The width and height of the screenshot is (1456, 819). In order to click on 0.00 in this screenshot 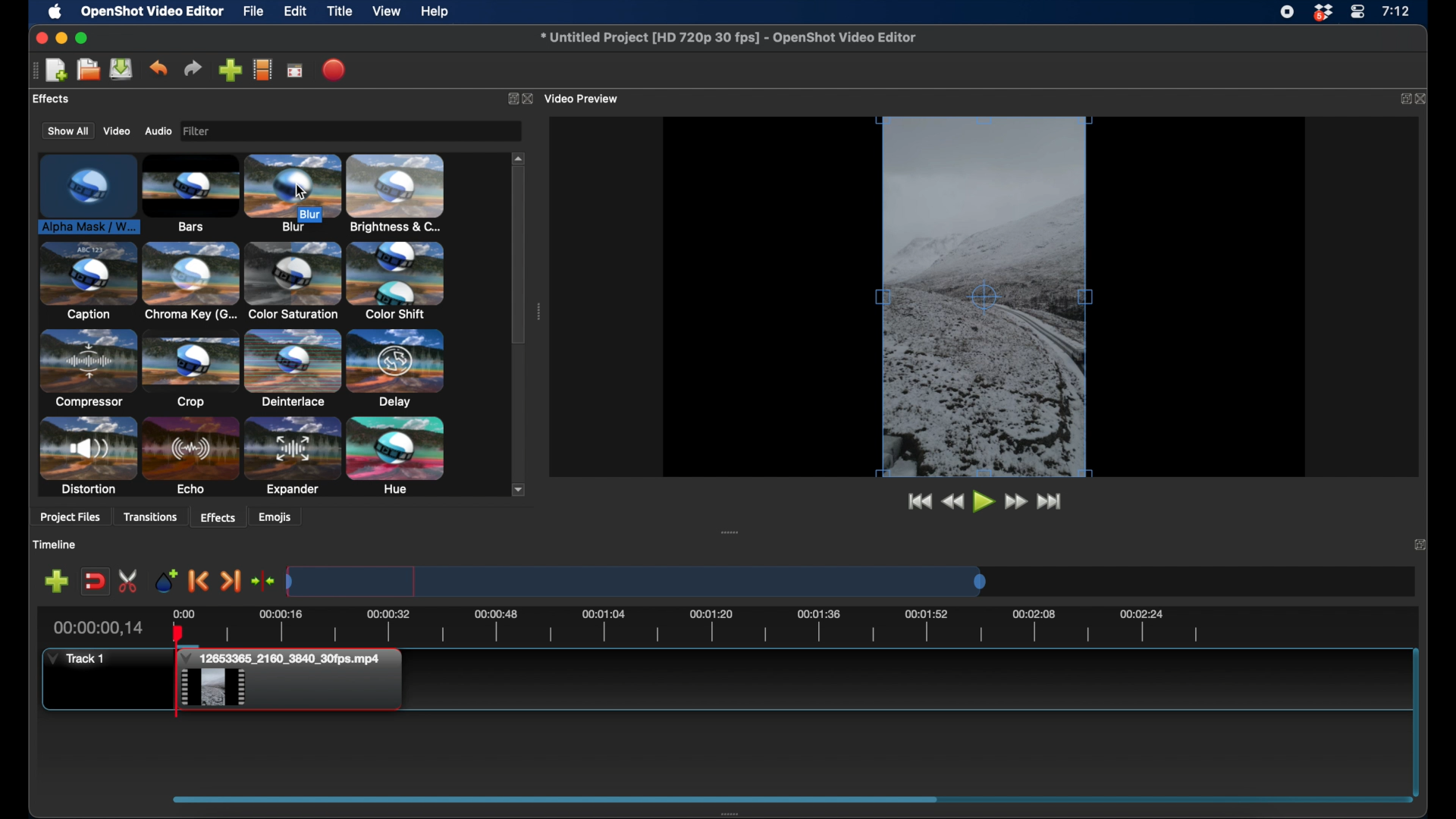, I will do `click(183, 613)`.